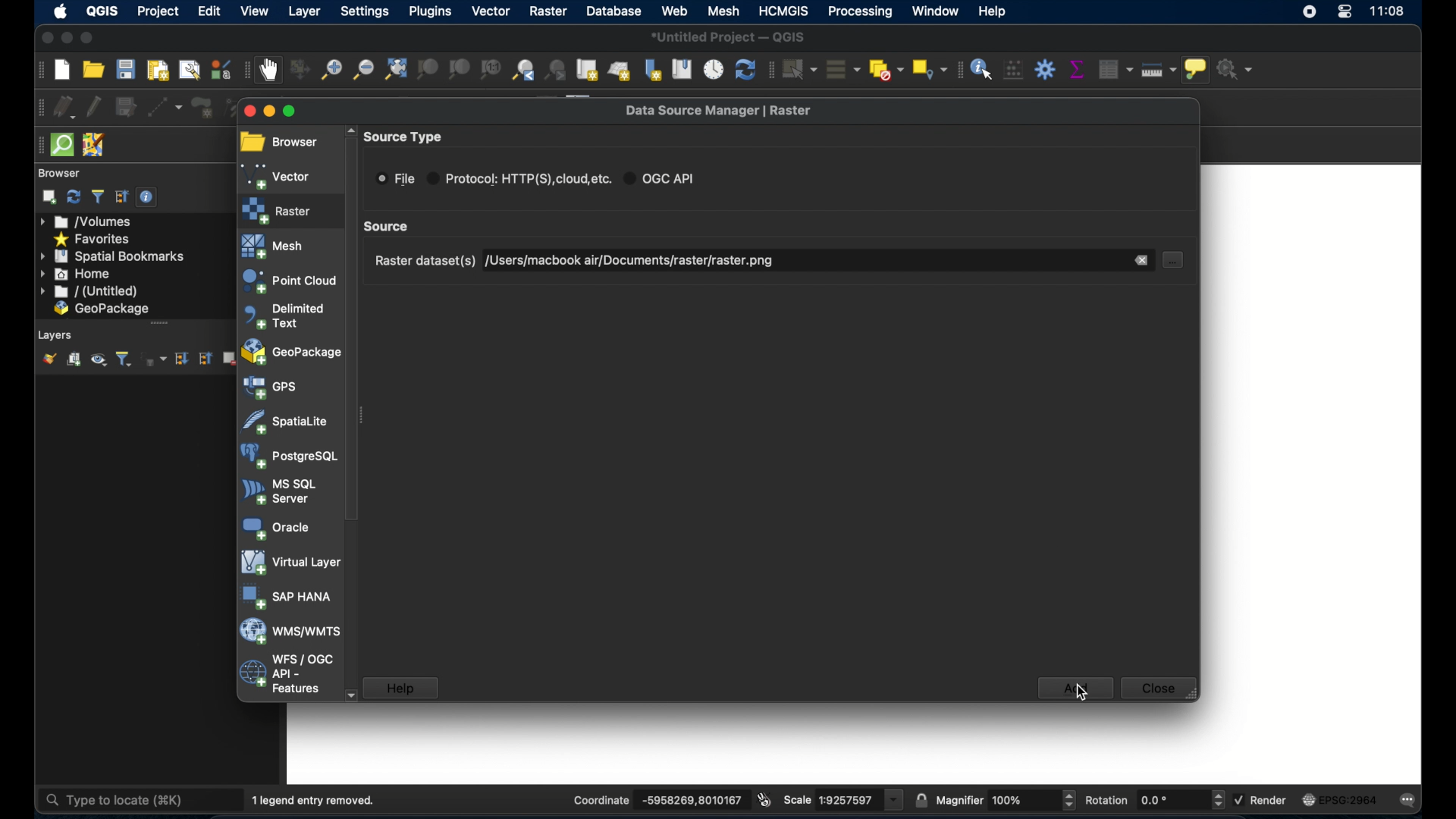 This screenshot has width=1456, height=819. Describe the element at coordinates (620, 72) in the screenshot. I see `new 3d map view` at that location.